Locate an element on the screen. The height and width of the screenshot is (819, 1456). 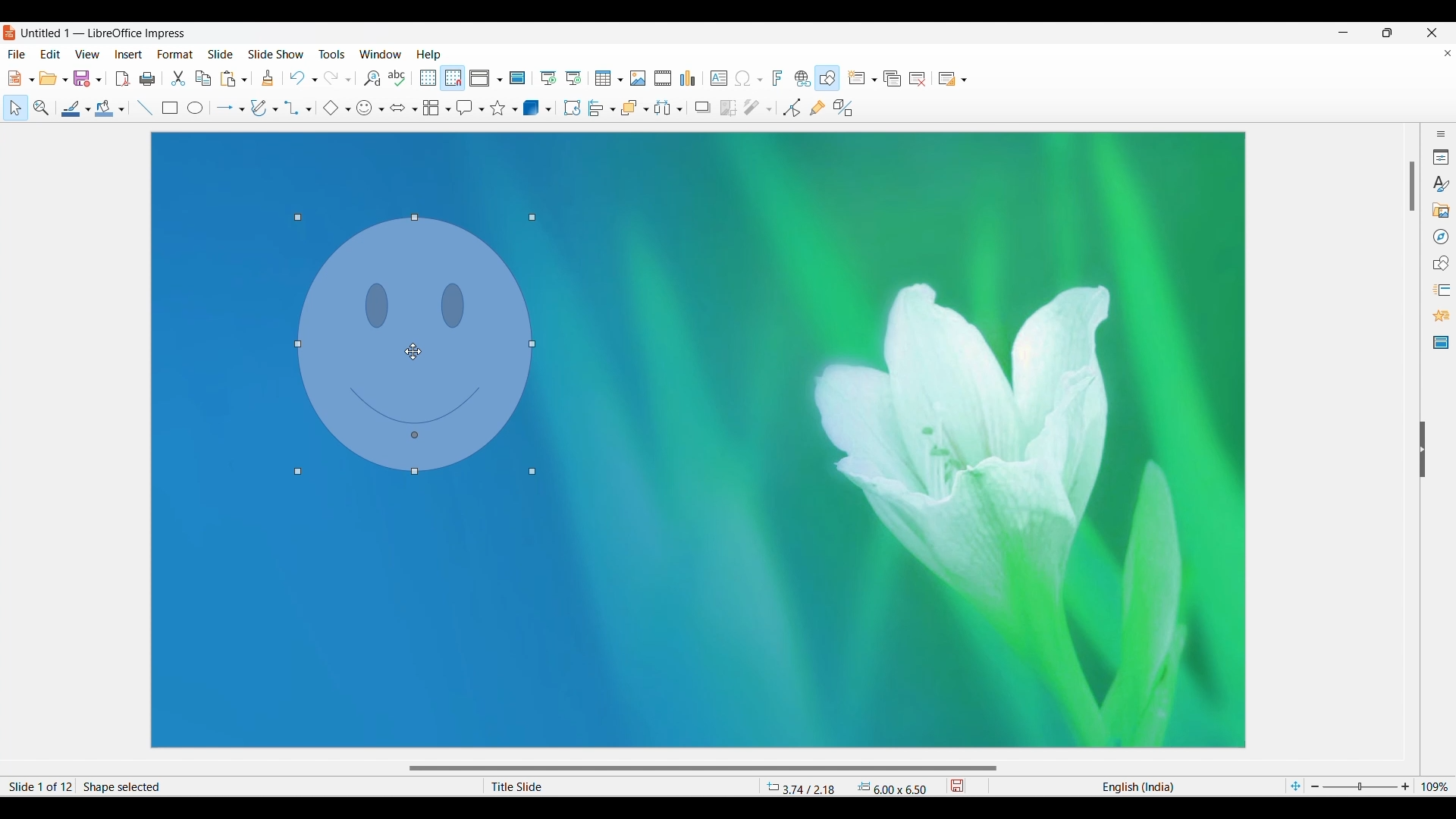
Connector options is located at coordinates (309, 110).